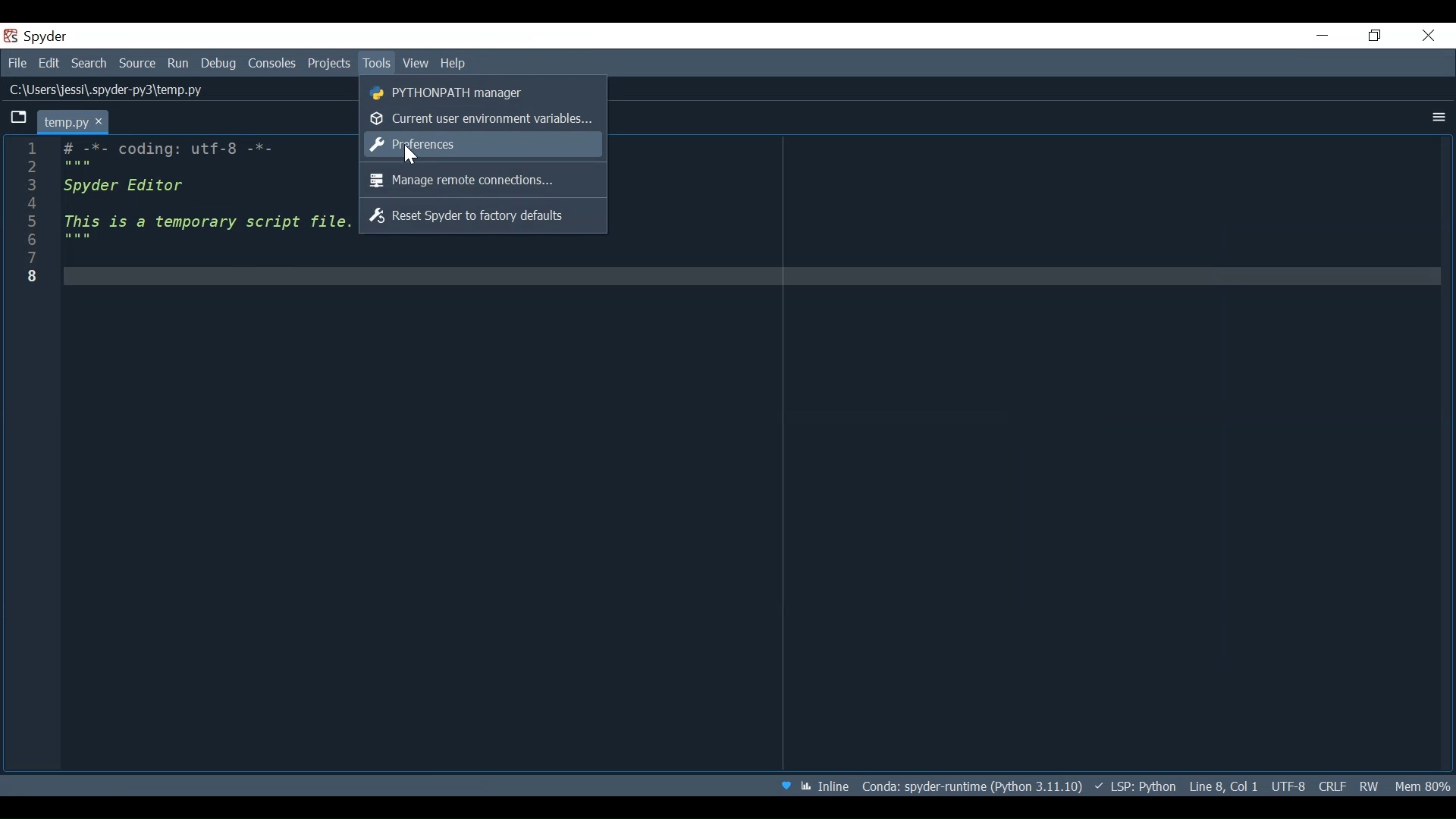 Image resolution: width=1456 pixels, height=819 pixels. Describe the element at coordinates (1421, 786) in the screenshot. I see `Memory Usage` at that location.